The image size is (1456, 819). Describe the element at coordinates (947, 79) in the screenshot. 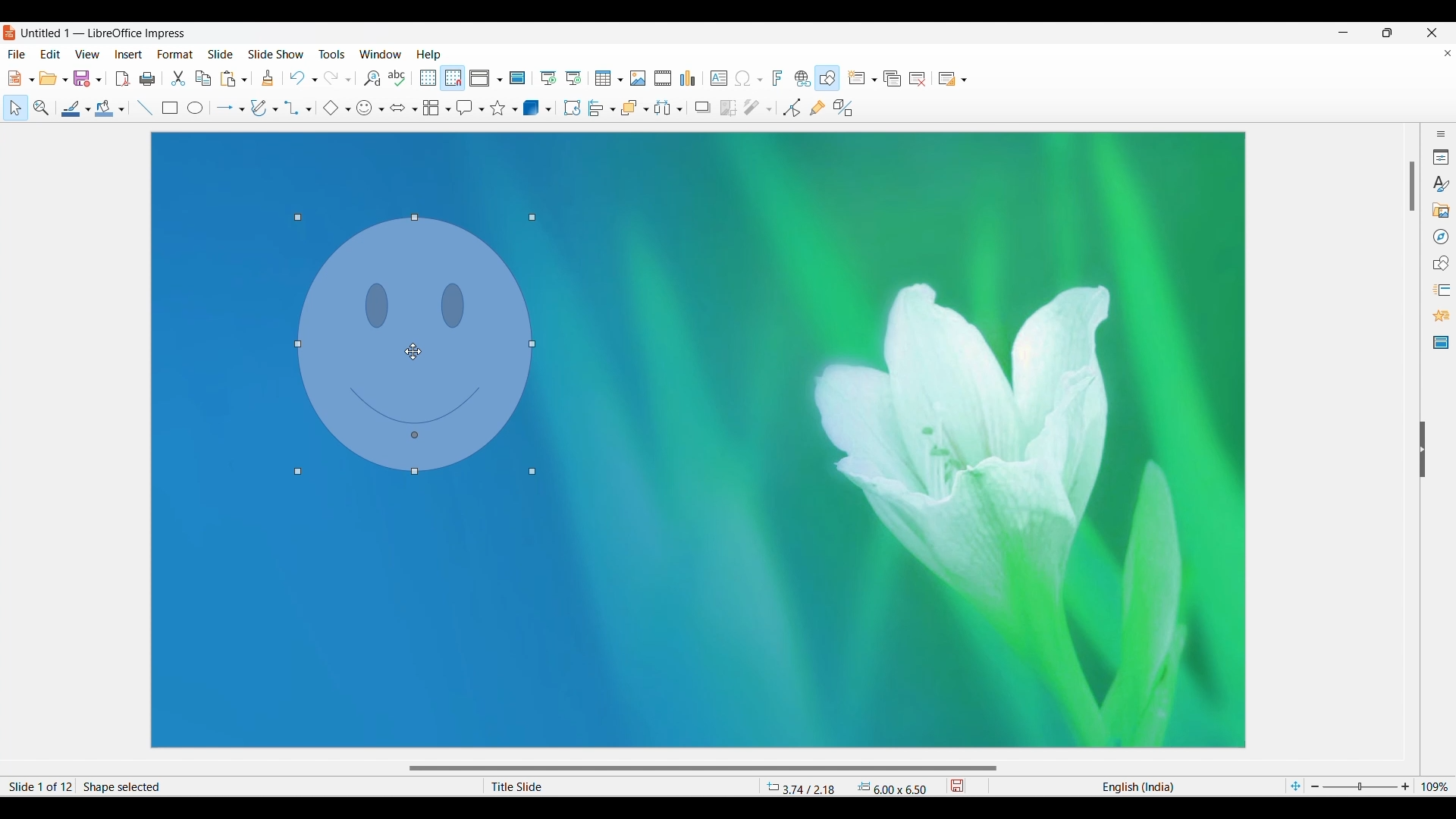

I see `Slide layout` at that location.